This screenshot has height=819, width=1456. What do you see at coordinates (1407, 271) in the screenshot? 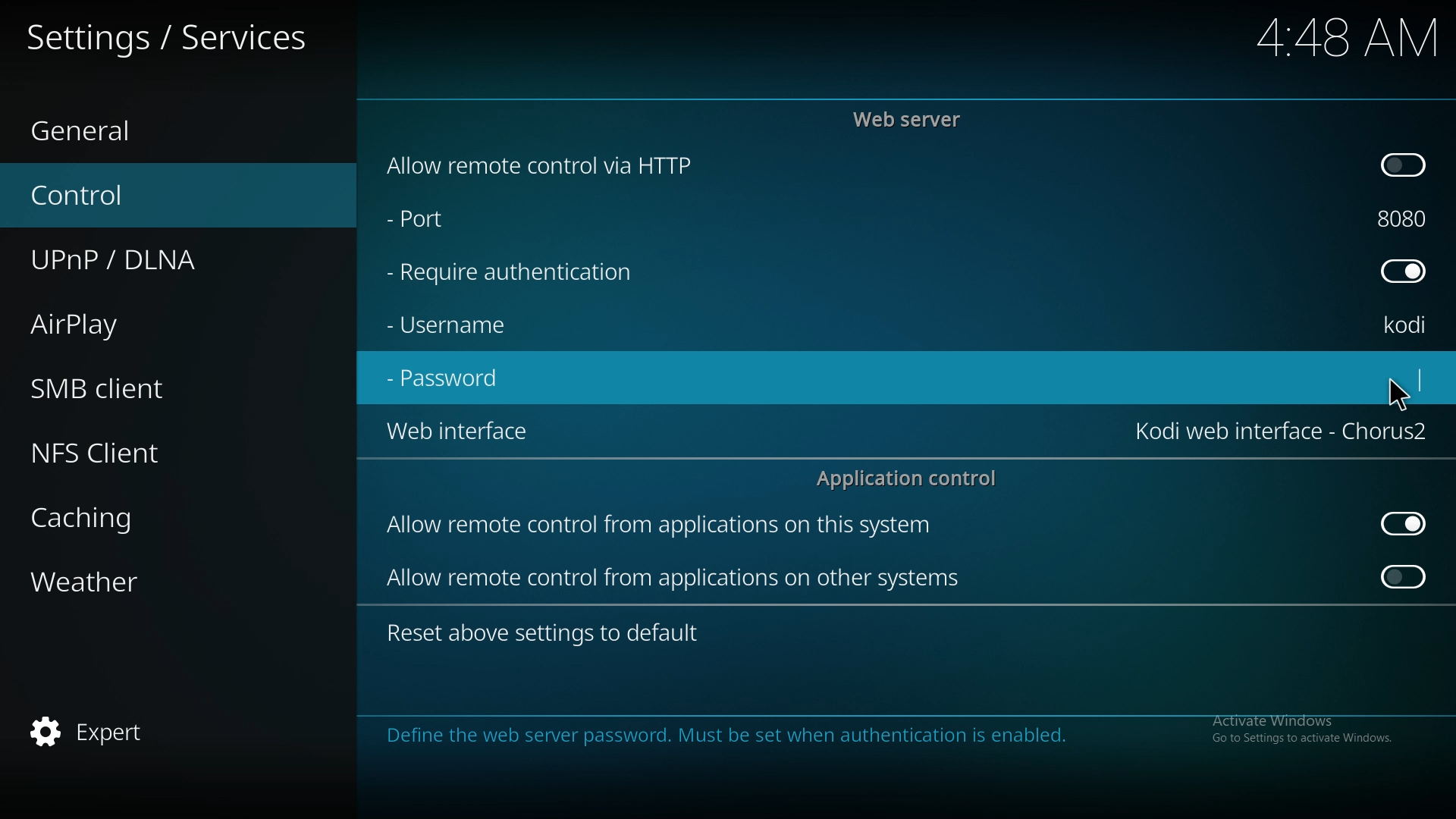
I see `off` at bounding box center [1407, 271].